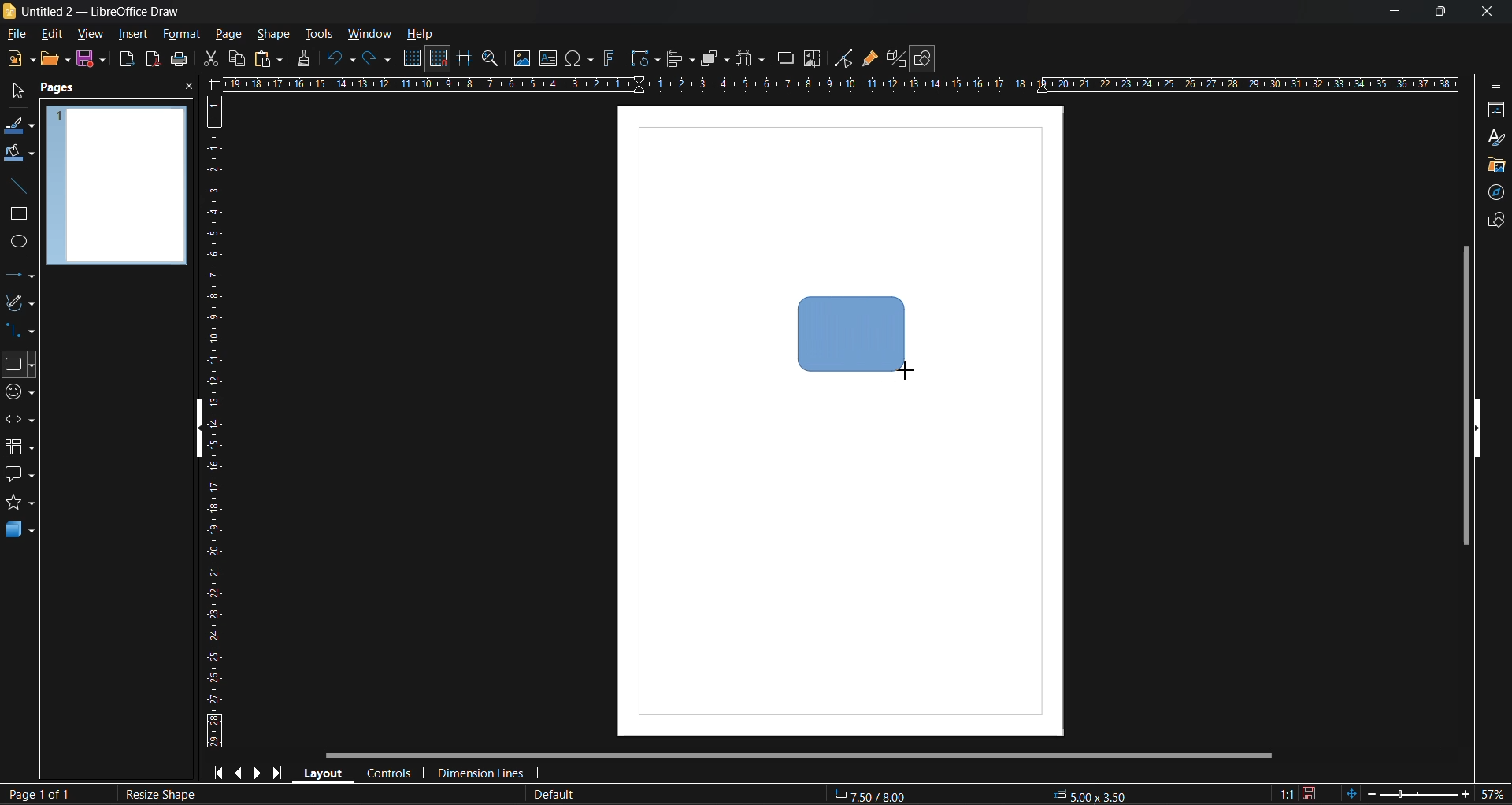 Image resolution: width=1512 pixels, height=805 pixels. Describe the element at coordinates (87, 33) in the screenshot. I see `view` at that location.